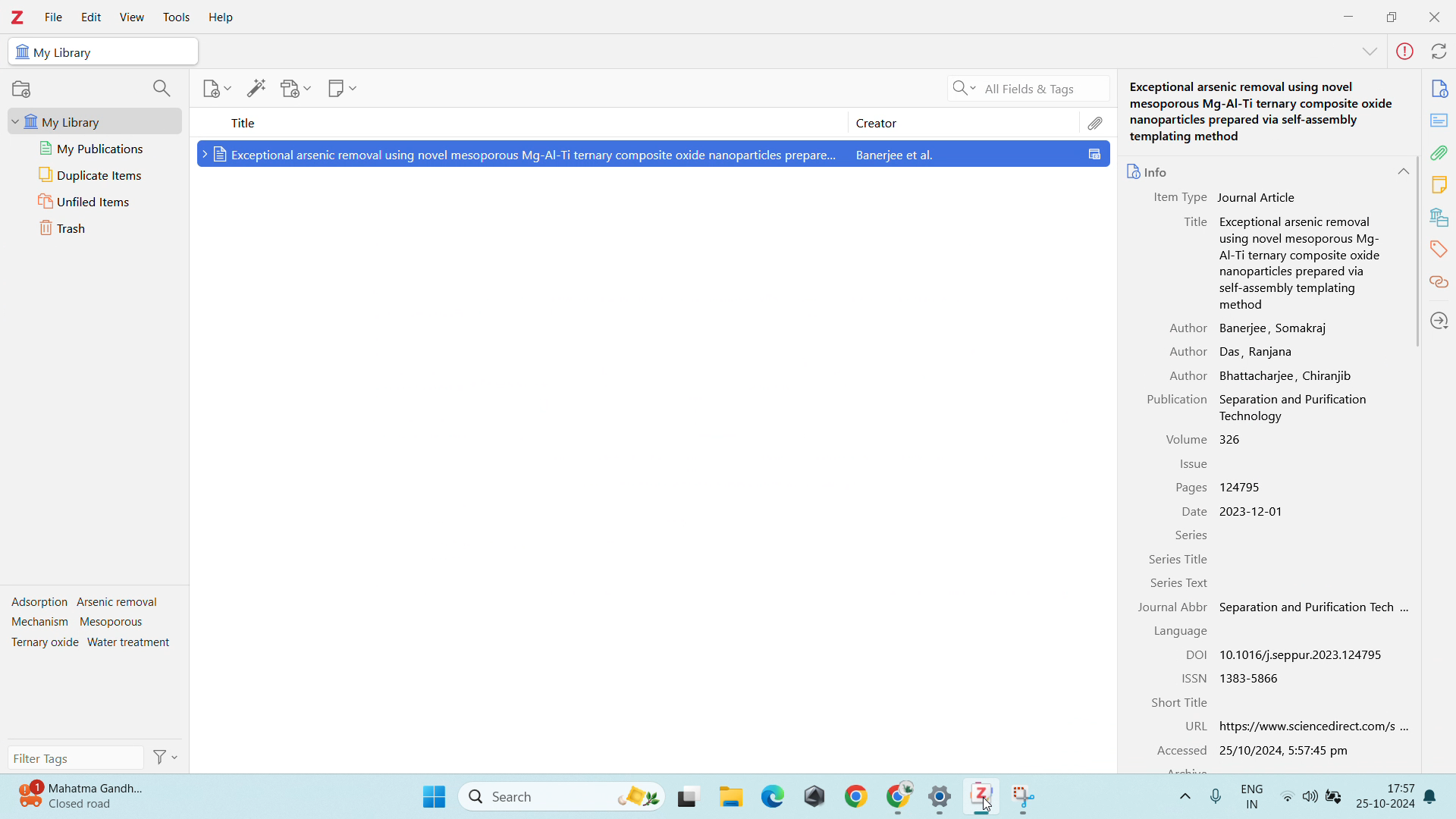 The image size is (1456, 819). What do you see at coordinates (164, 757) in the screenshot?
I see `actions` at bounding box center [164, 757].